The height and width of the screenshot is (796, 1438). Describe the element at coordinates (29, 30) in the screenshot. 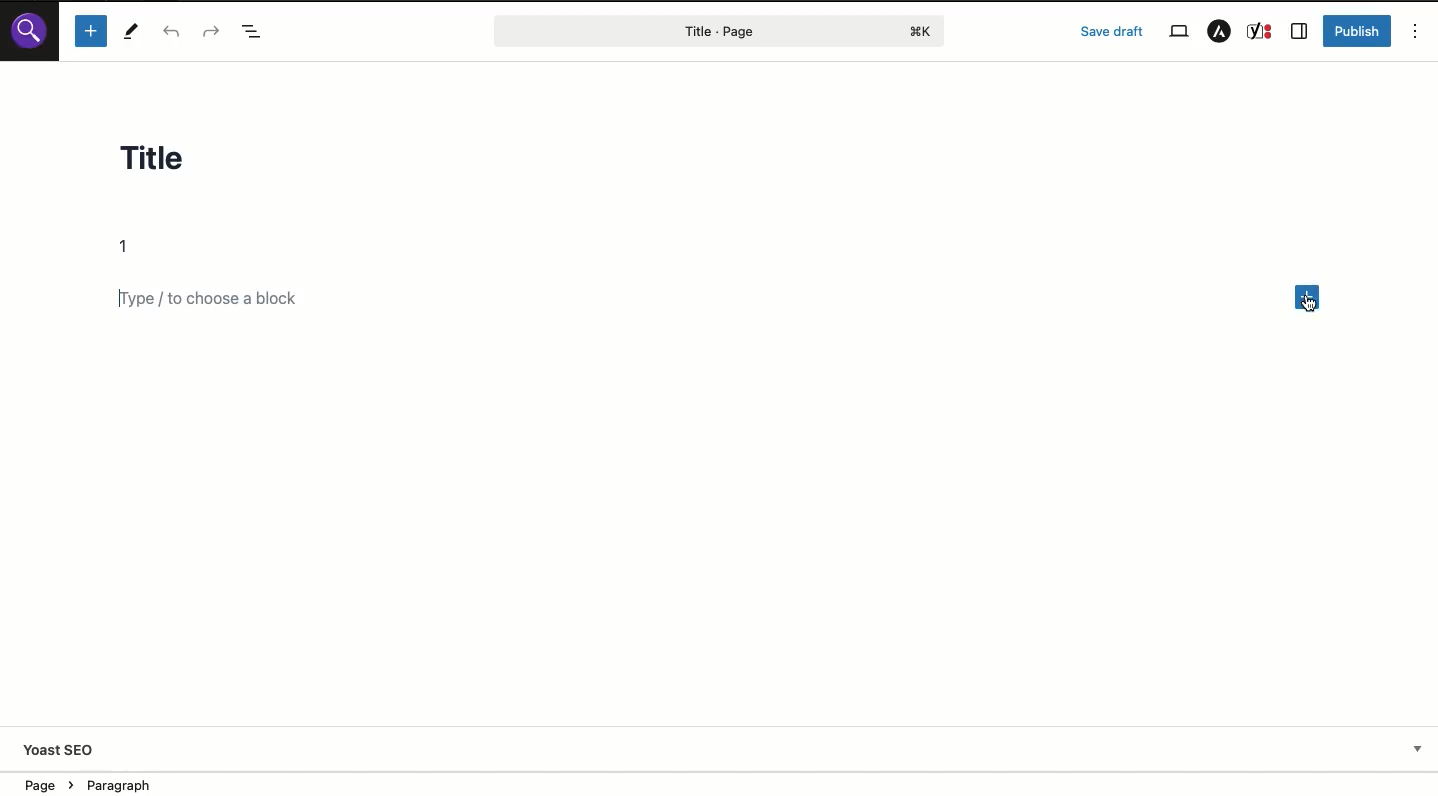

I see `Search ` at that location.